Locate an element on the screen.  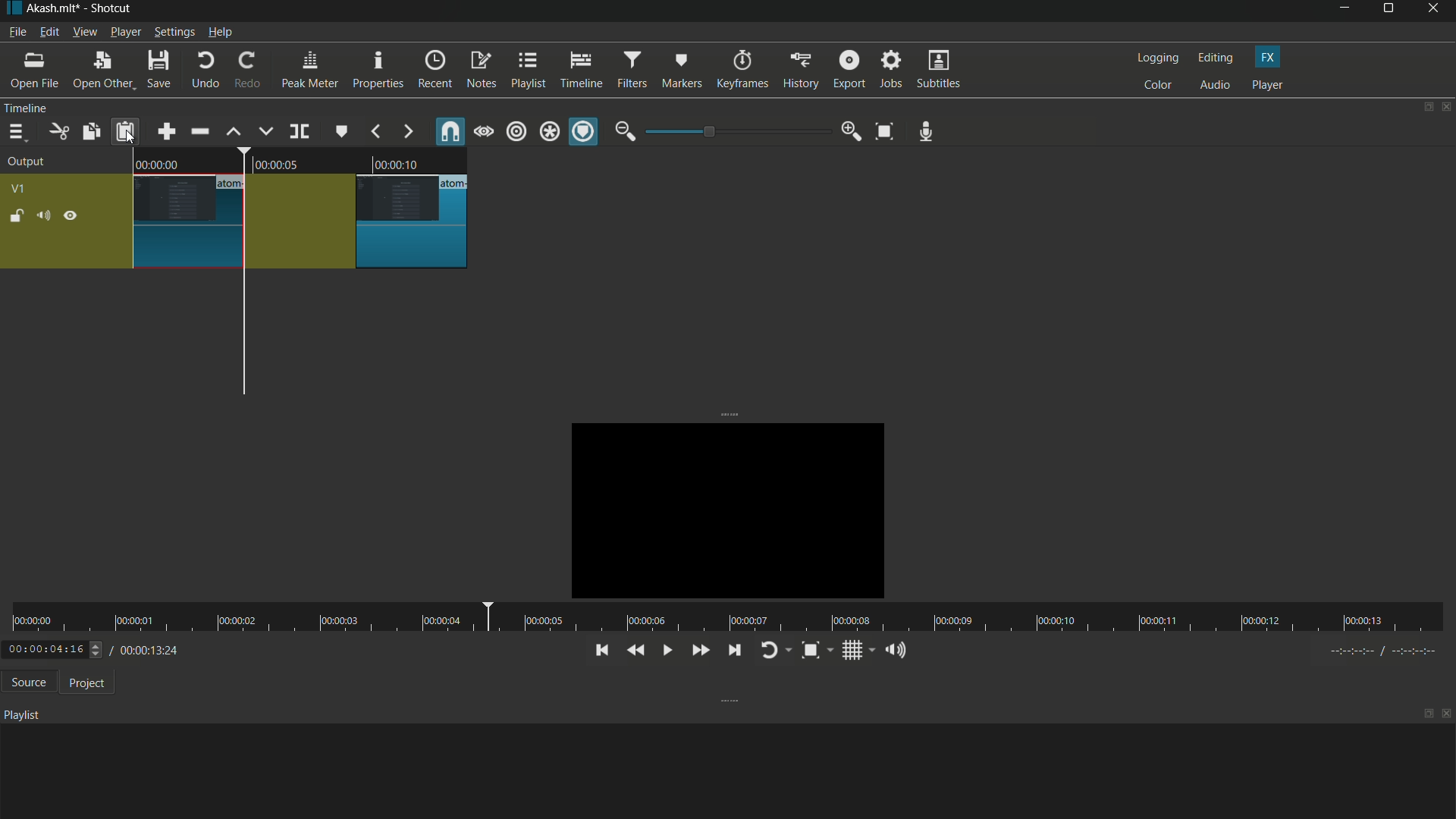
next marker is located at coordinates (407, 133).